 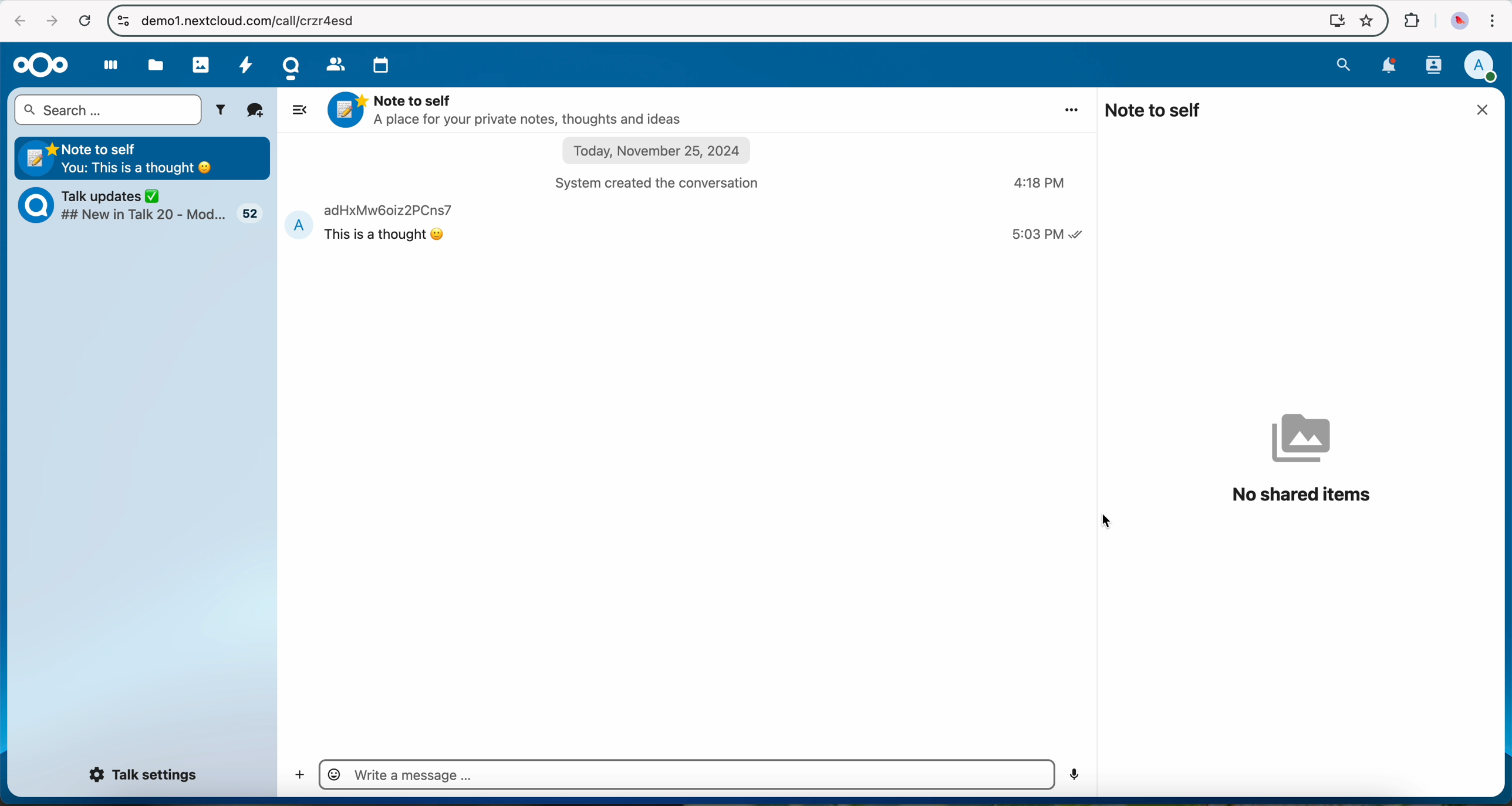 I want to click on files, so click(x=157, y=65).